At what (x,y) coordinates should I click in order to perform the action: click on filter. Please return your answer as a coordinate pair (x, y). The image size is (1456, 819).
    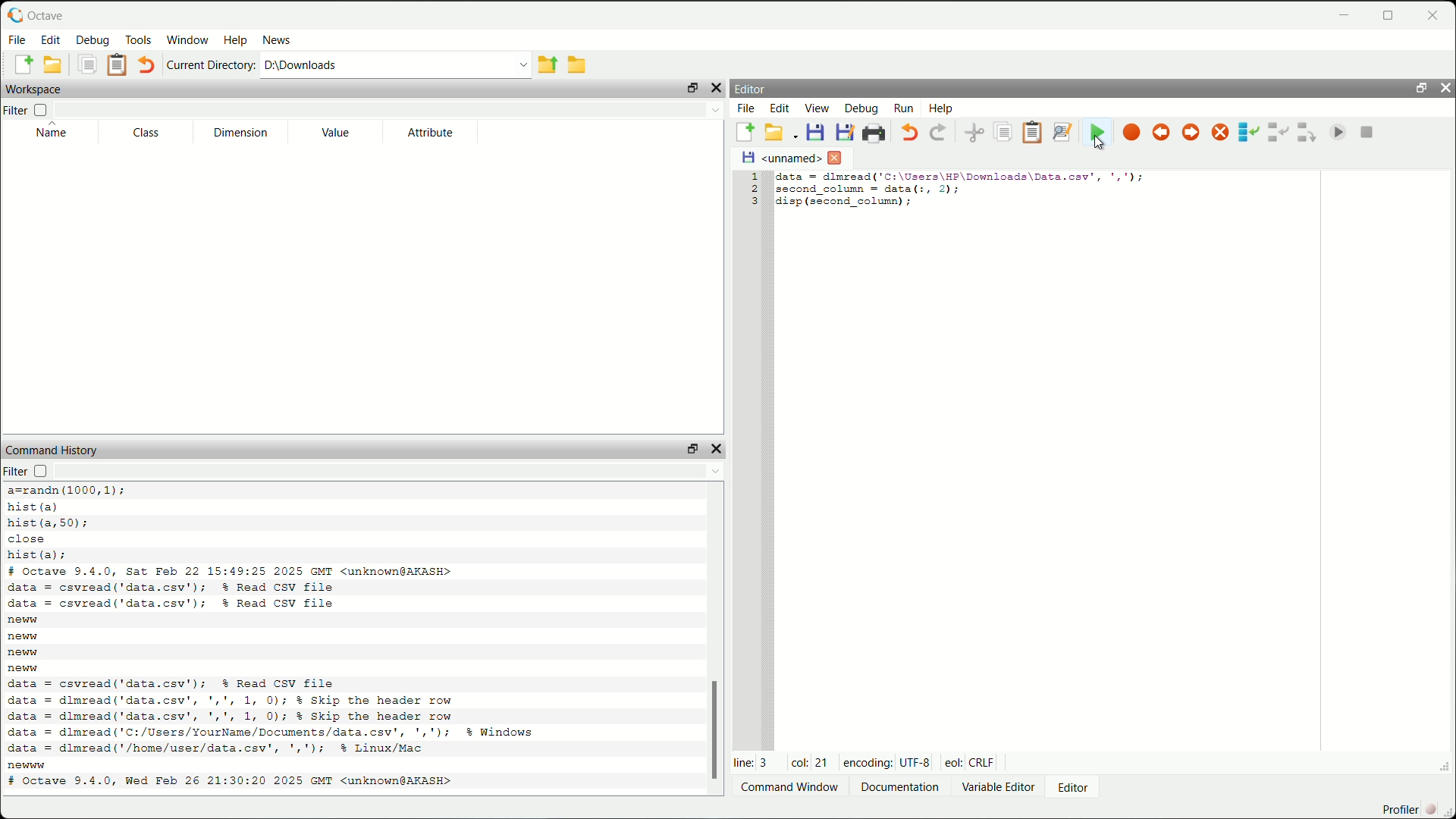
    Looking at the image, I should click on (31, 470).